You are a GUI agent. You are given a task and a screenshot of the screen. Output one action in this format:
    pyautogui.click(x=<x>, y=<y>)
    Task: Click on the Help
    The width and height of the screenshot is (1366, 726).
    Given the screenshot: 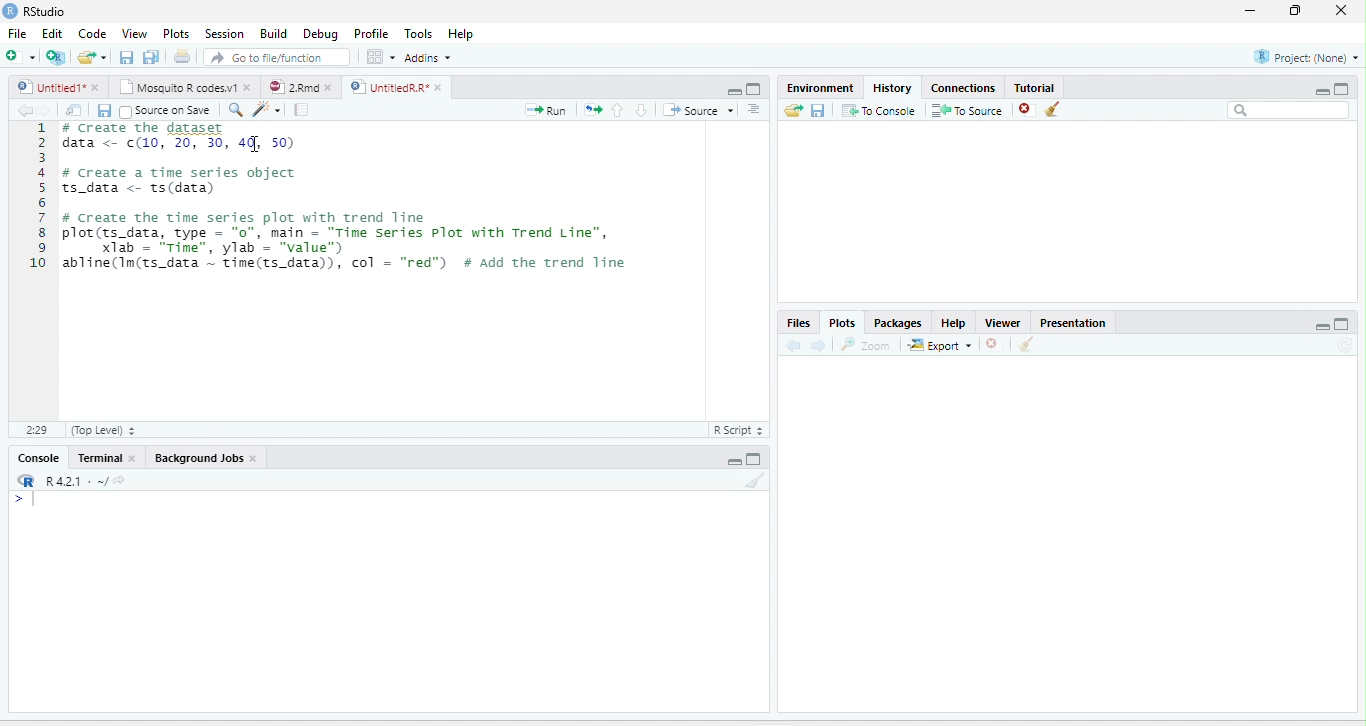 What is the action you would take?
    pyautogui.click(x=954, y=323)
    